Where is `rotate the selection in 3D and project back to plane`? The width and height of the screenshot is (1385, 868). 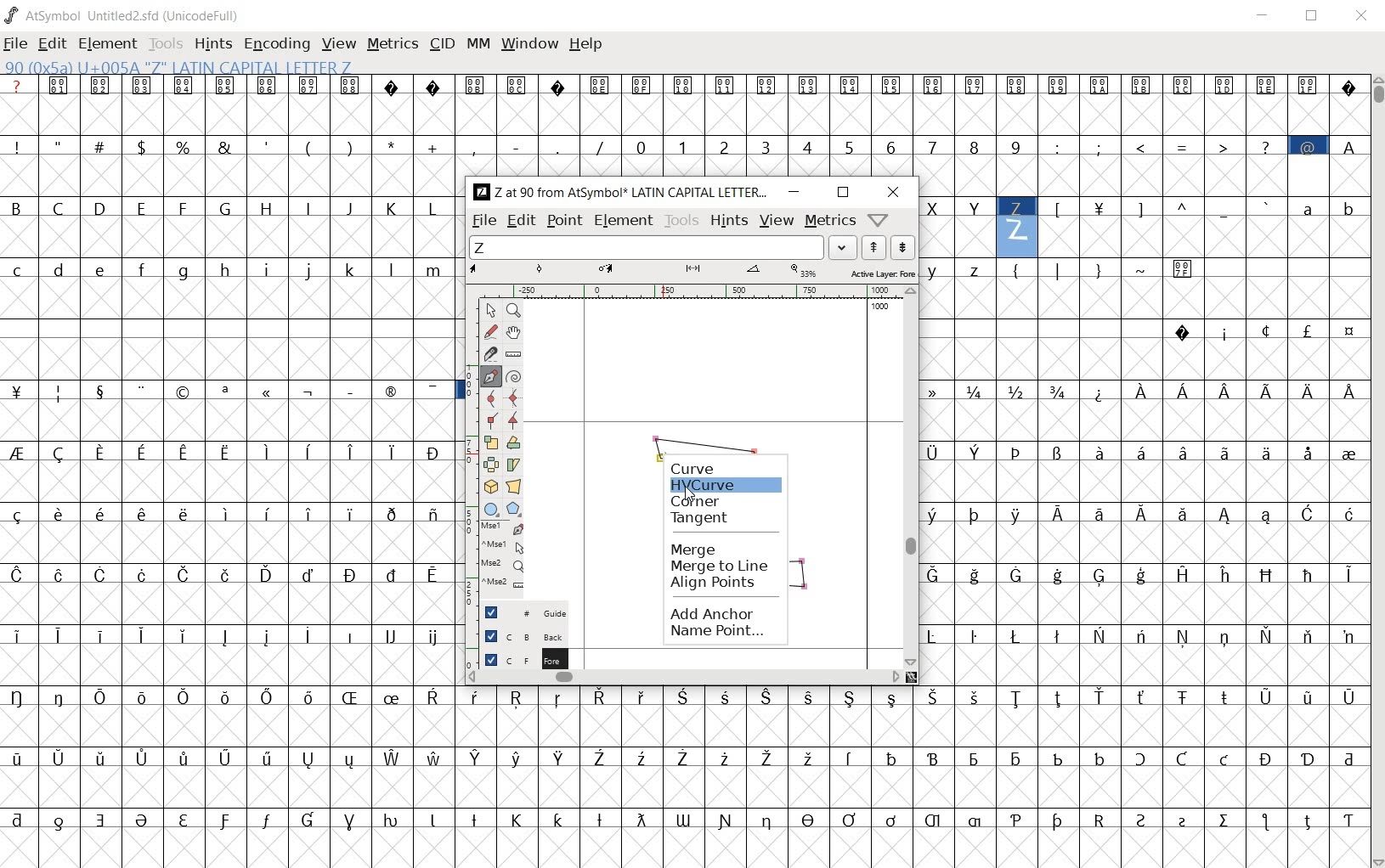 rotate the selection in 3D and project back to plane is located at coordinates (490, 486).